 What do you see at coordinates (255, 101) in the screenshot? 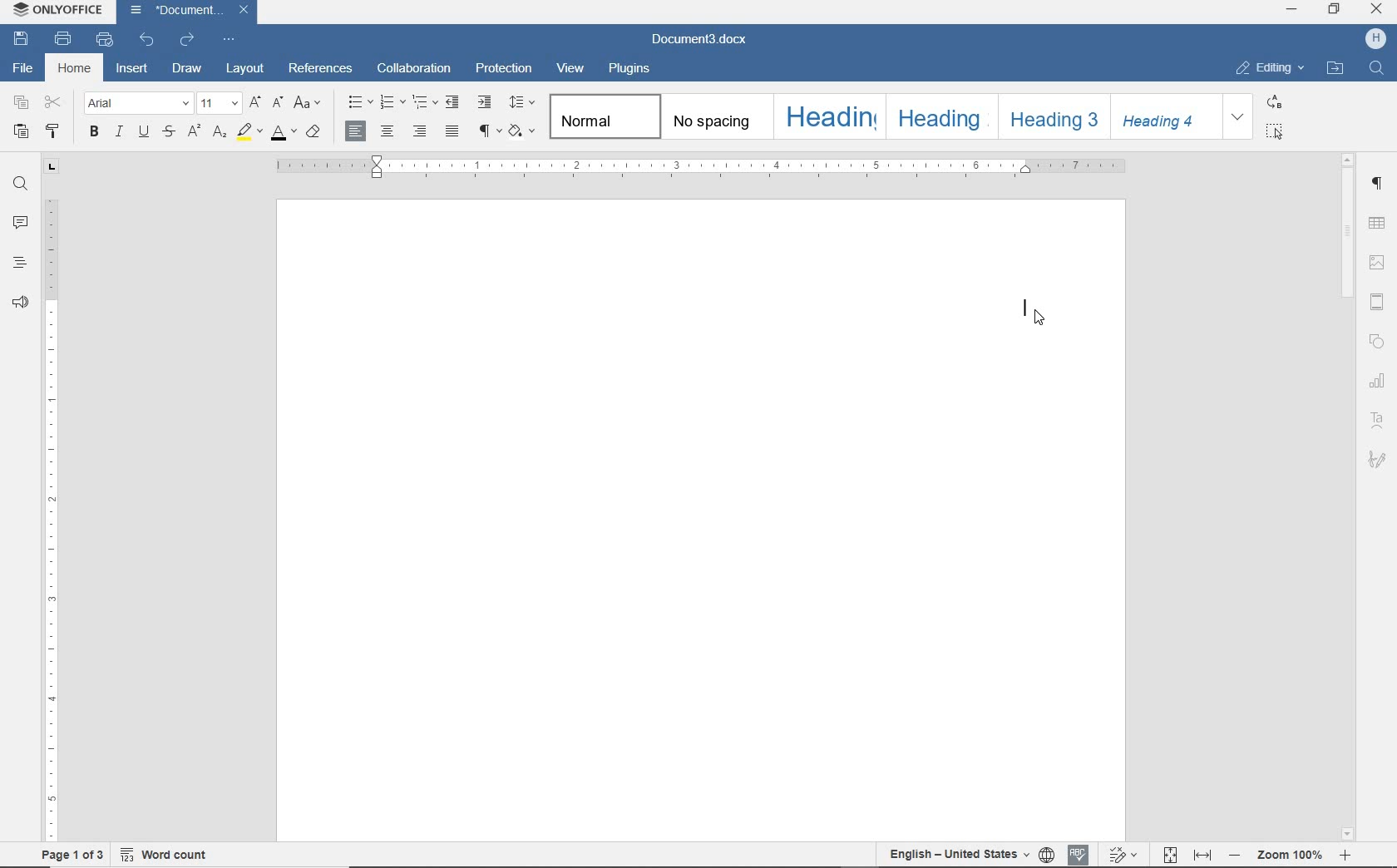
I see `INCREASE FONT SIZE` at bounding box center [255, 101].